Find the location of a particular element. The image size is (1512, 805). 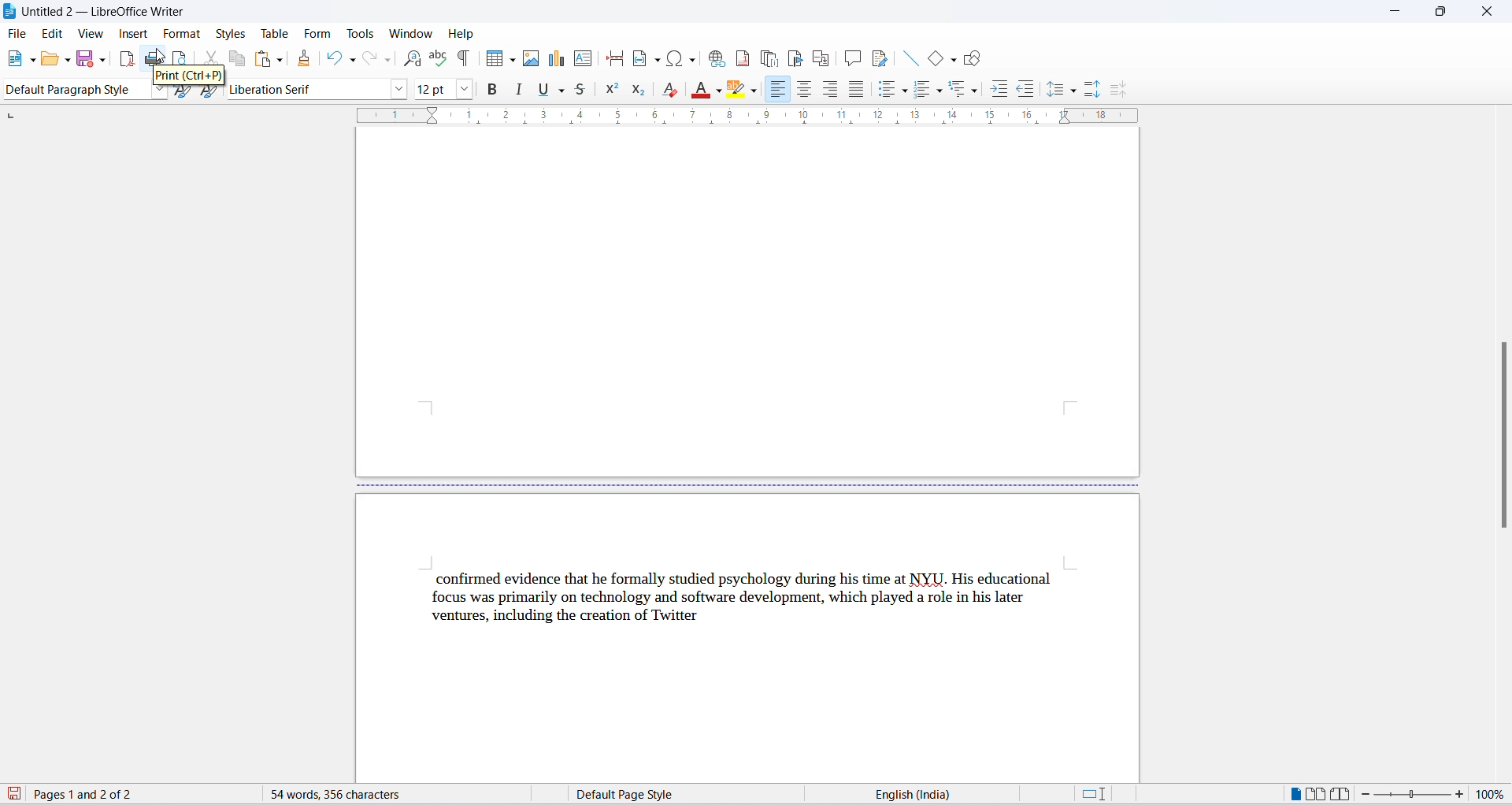

show track changes functions is located at coordinates (881, 57).